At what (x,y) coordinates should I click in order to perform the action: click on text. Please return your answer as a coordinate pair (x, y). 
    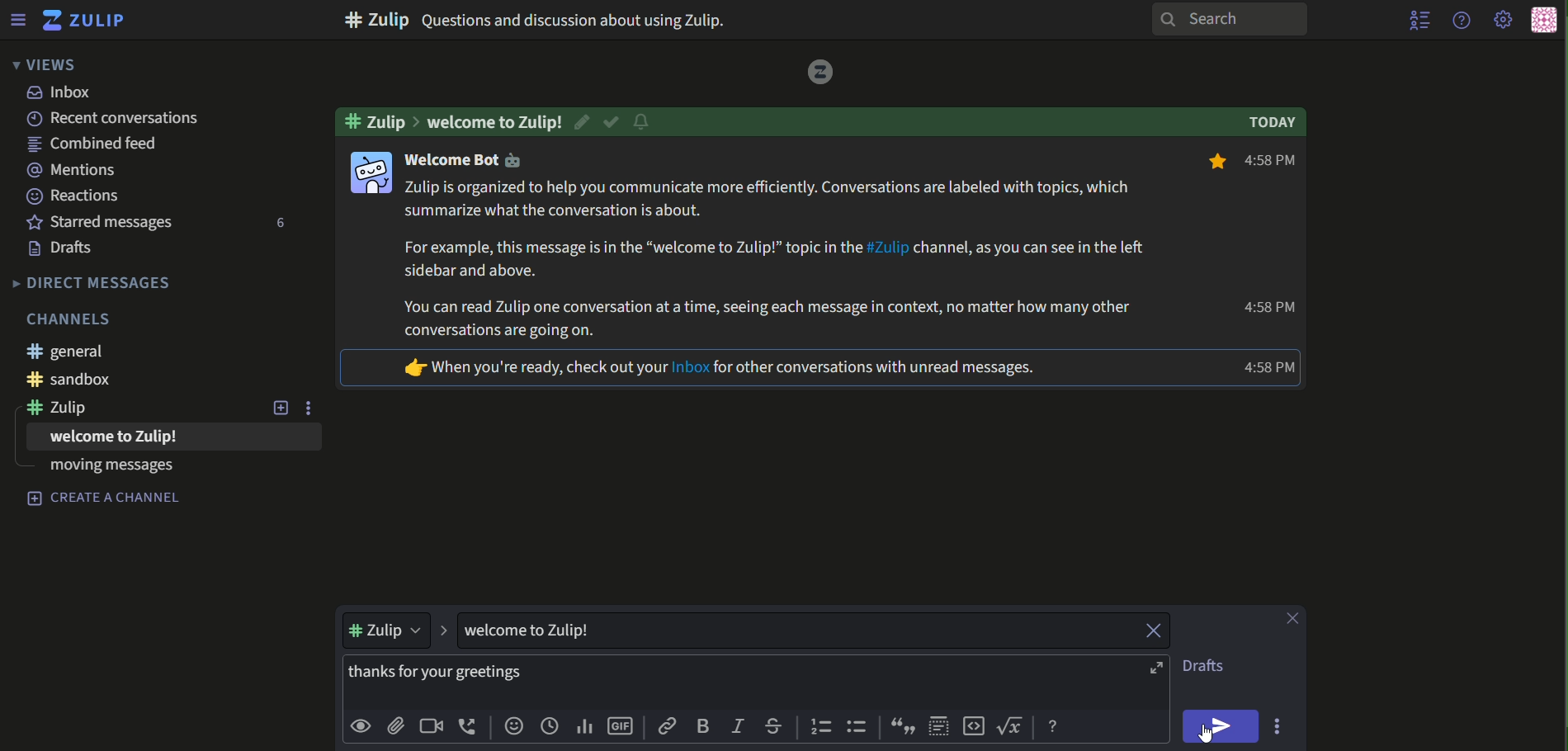
    Looking at the image, I should click on (74, 171).